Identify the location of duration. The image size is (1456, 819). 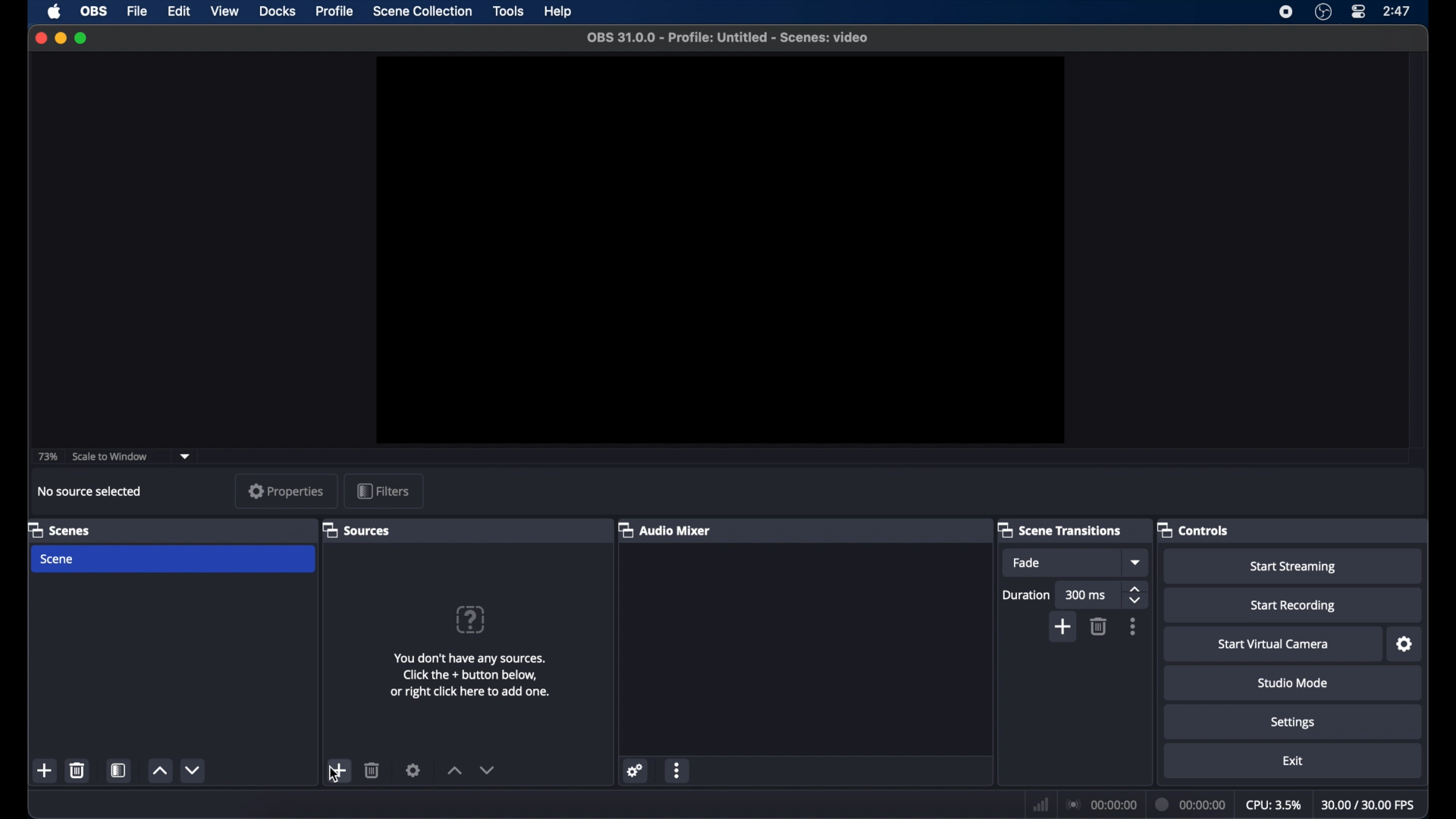
(1191, 804).